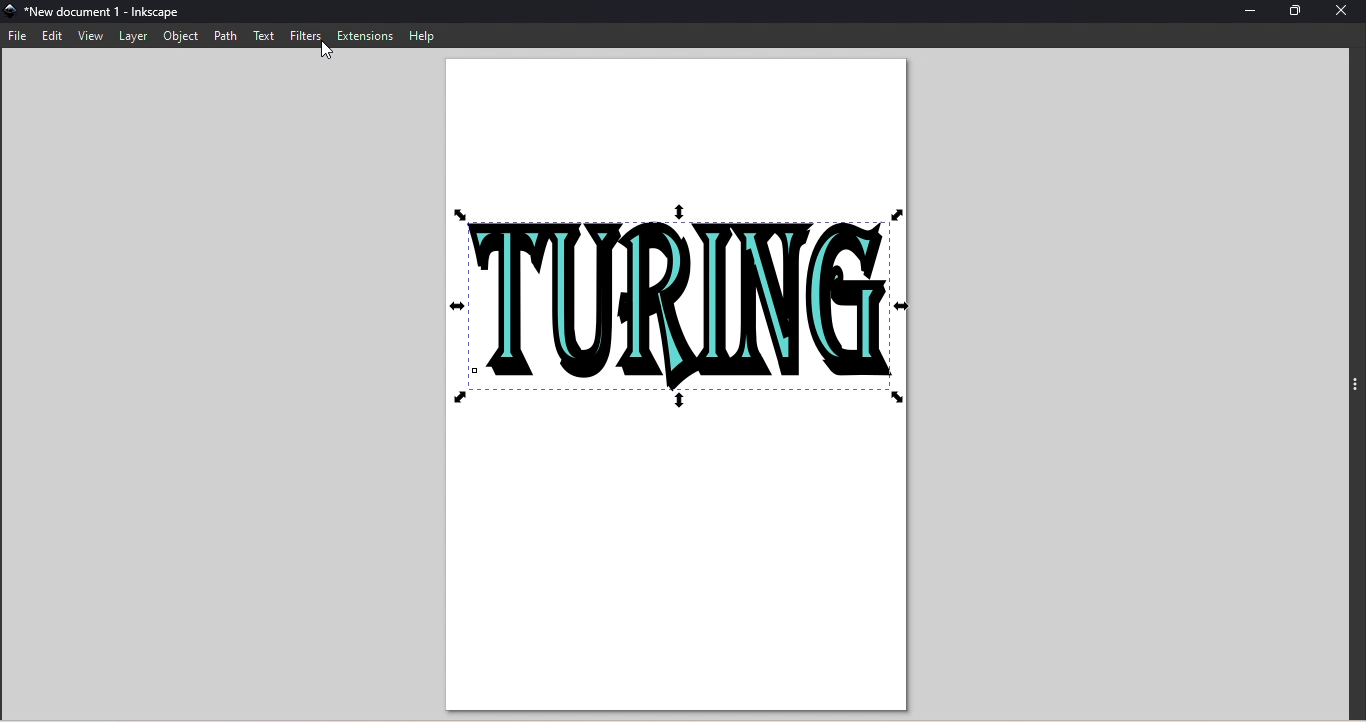  What do you see at coordinates (423, 35) in the screenshot?
I see `Help` at bounding box center [423, 35].